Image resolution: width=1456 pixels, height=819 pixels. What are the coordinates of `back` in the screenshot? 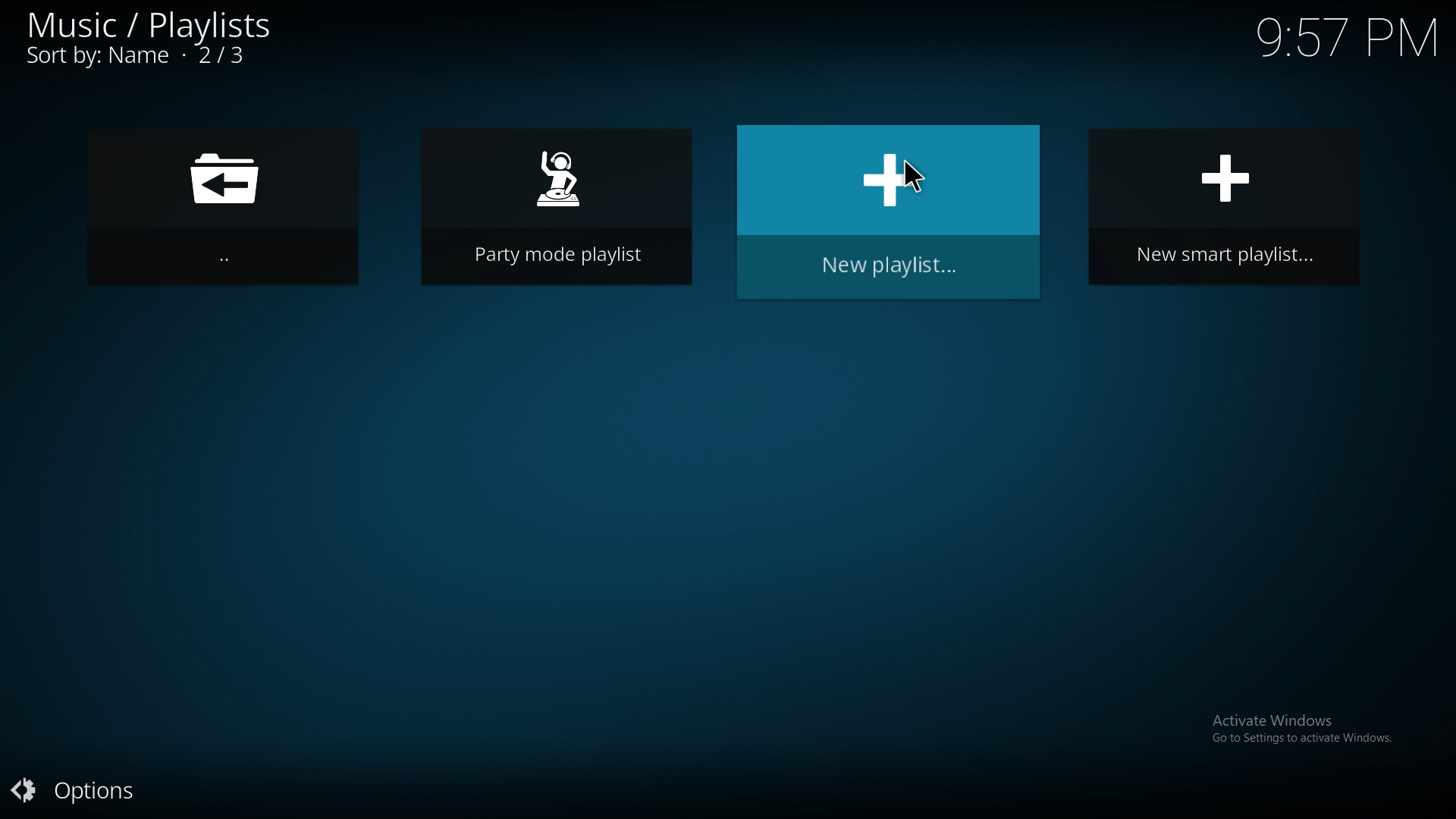 It's located at (221, 207).